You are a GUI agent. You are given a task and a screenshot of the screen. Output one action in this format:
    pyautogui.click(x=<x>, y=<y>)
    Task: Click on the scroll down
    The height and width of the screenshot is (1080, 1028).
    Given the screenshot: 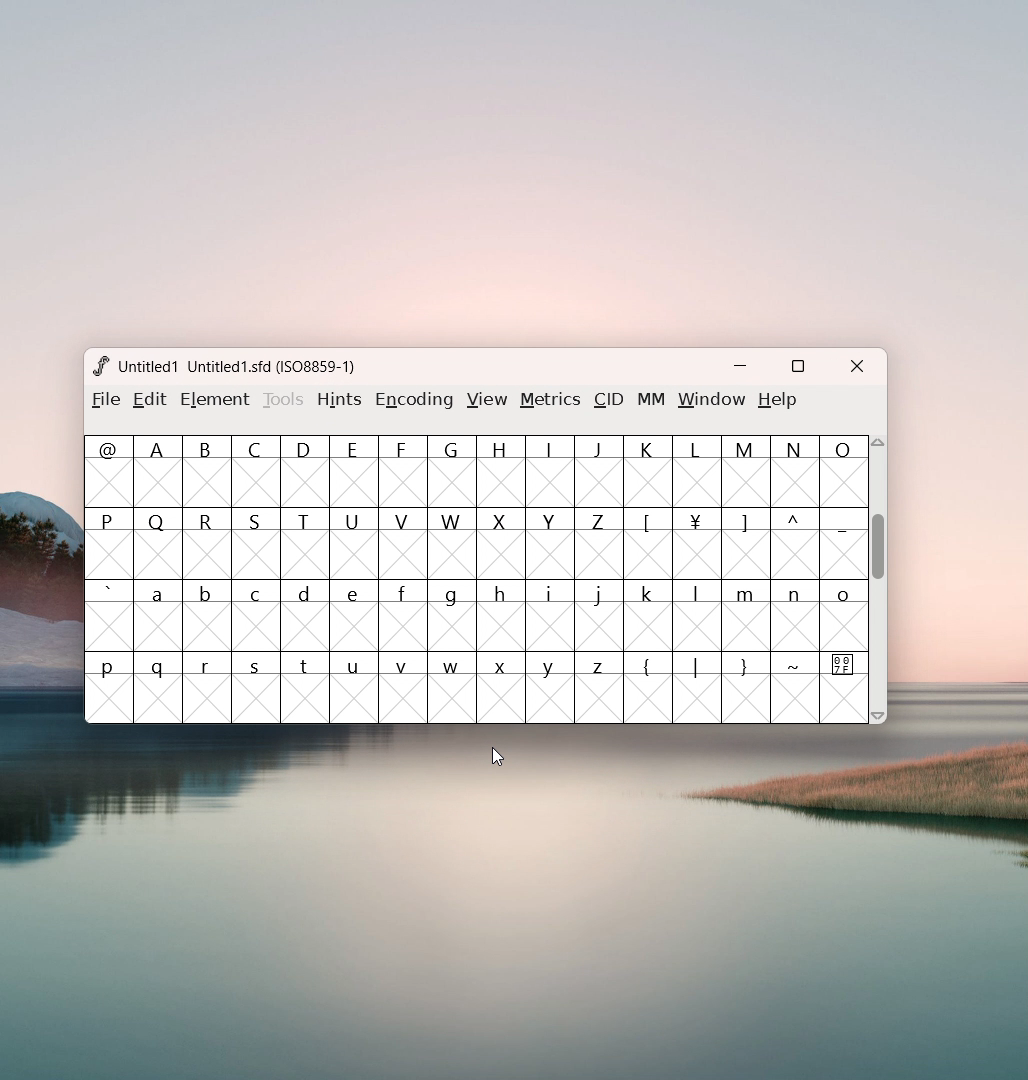 What is the action you would take?
    pyautogui.click(x=880, y=714)
    